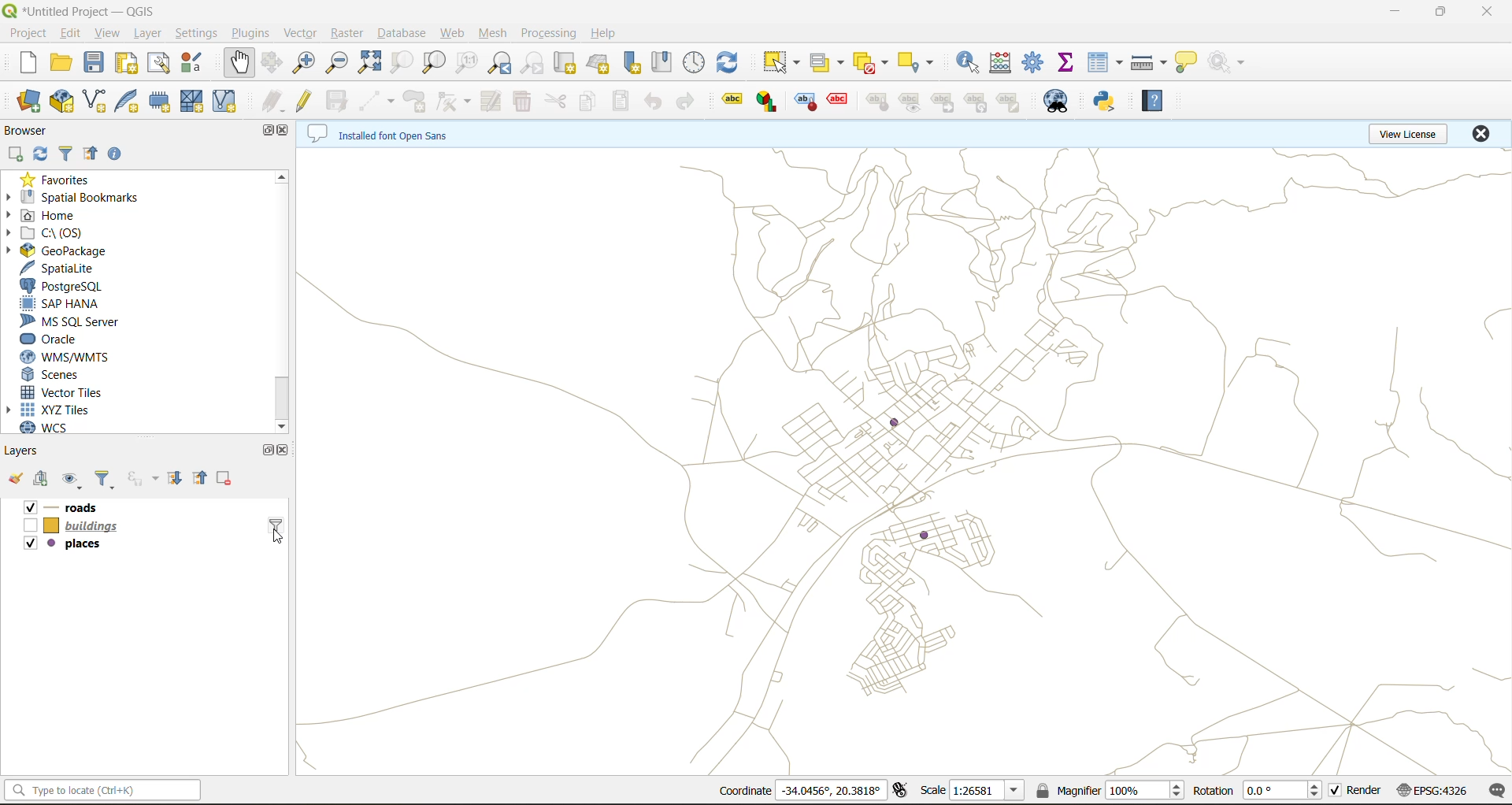 This screenshot has height=805, width=1512. Describe the element at coordinates (653, 102) in the screenshot. I see `undo` at that location.